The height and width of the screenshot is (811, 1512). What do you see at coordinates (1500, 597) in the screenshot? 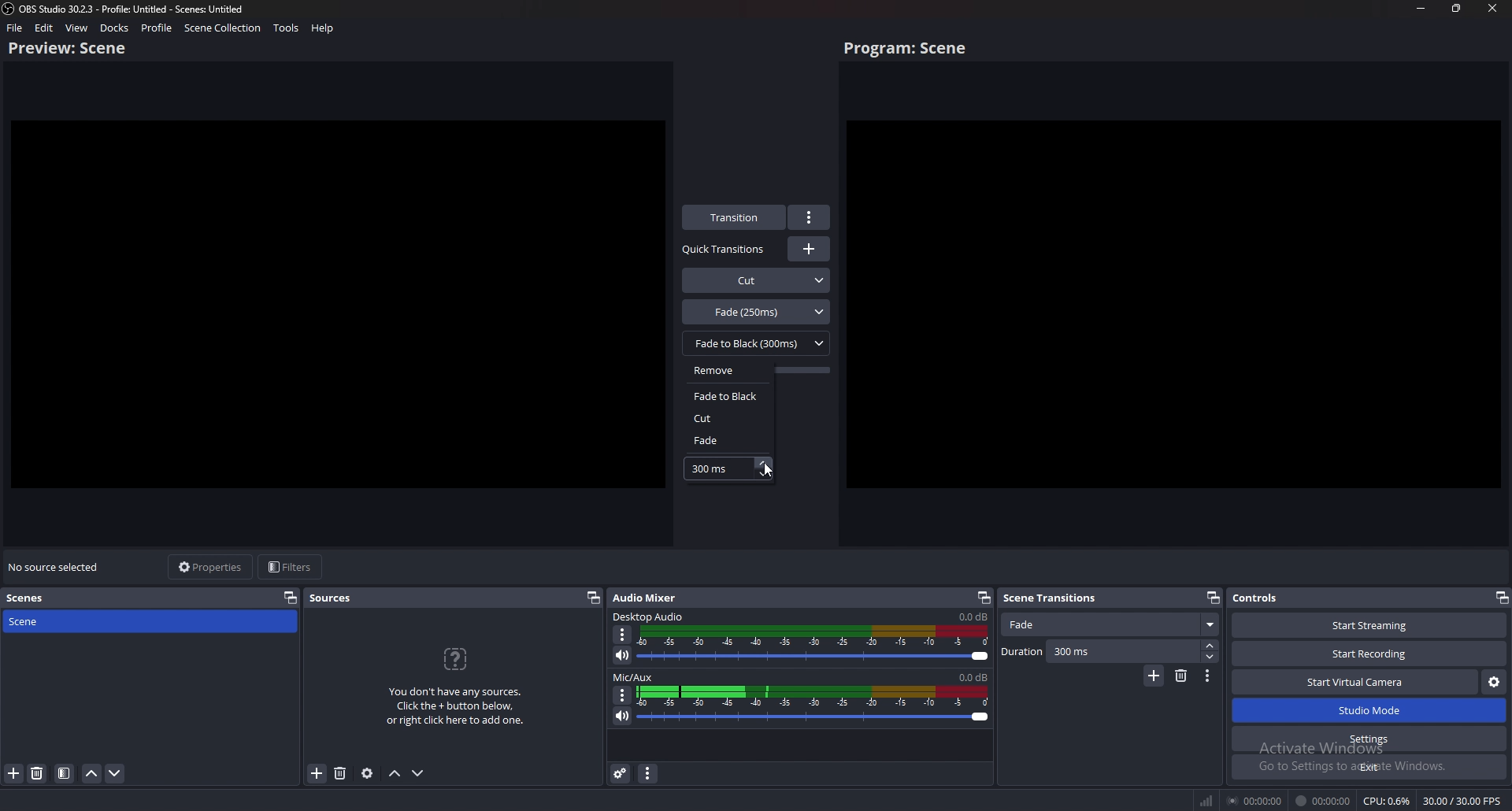
I see `pop out` at bounding box center [1500, 597].